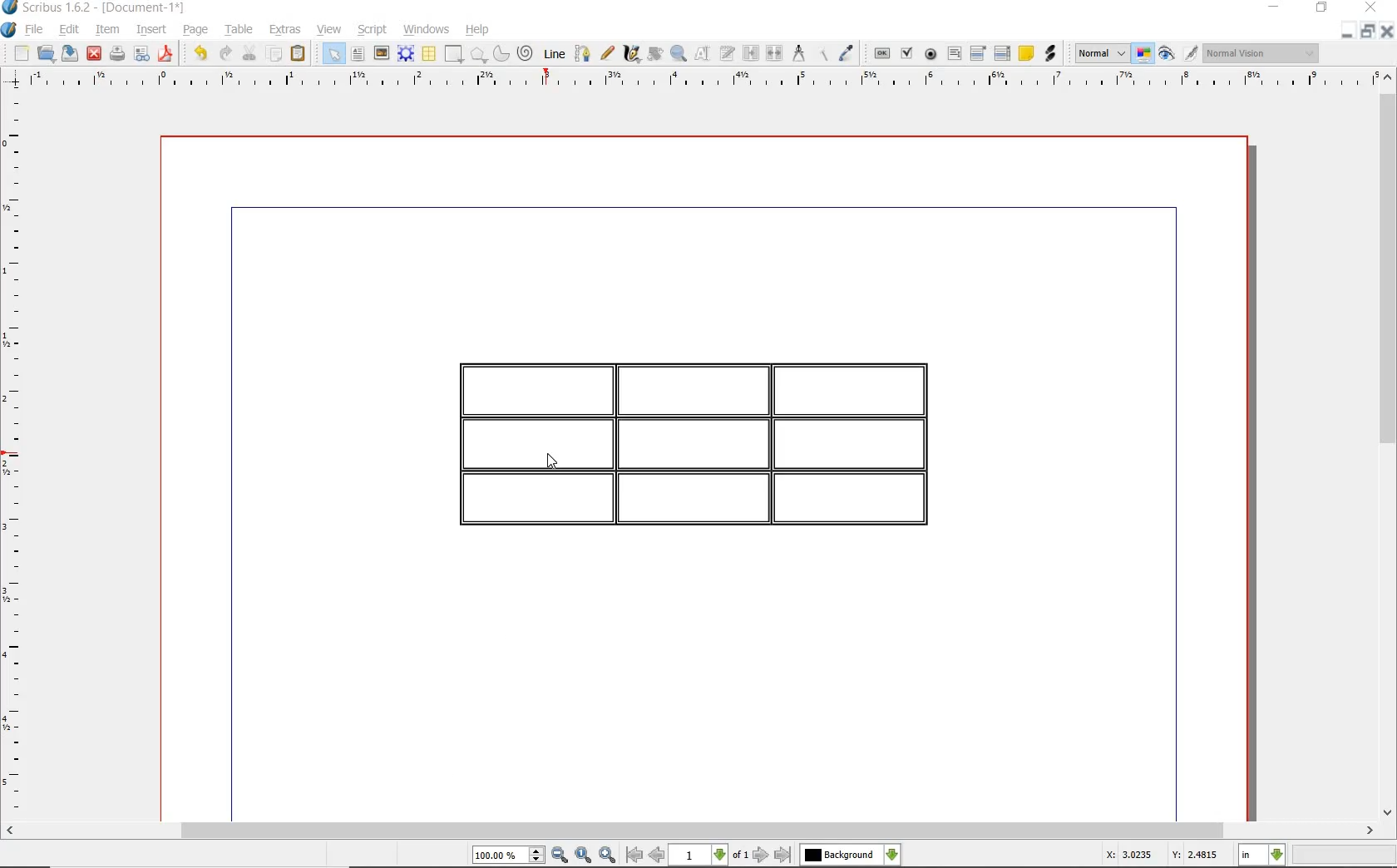  What do you see at coordinates (452, 55) in the screenshot?
I see `shape` at bounding box center [452, 55].